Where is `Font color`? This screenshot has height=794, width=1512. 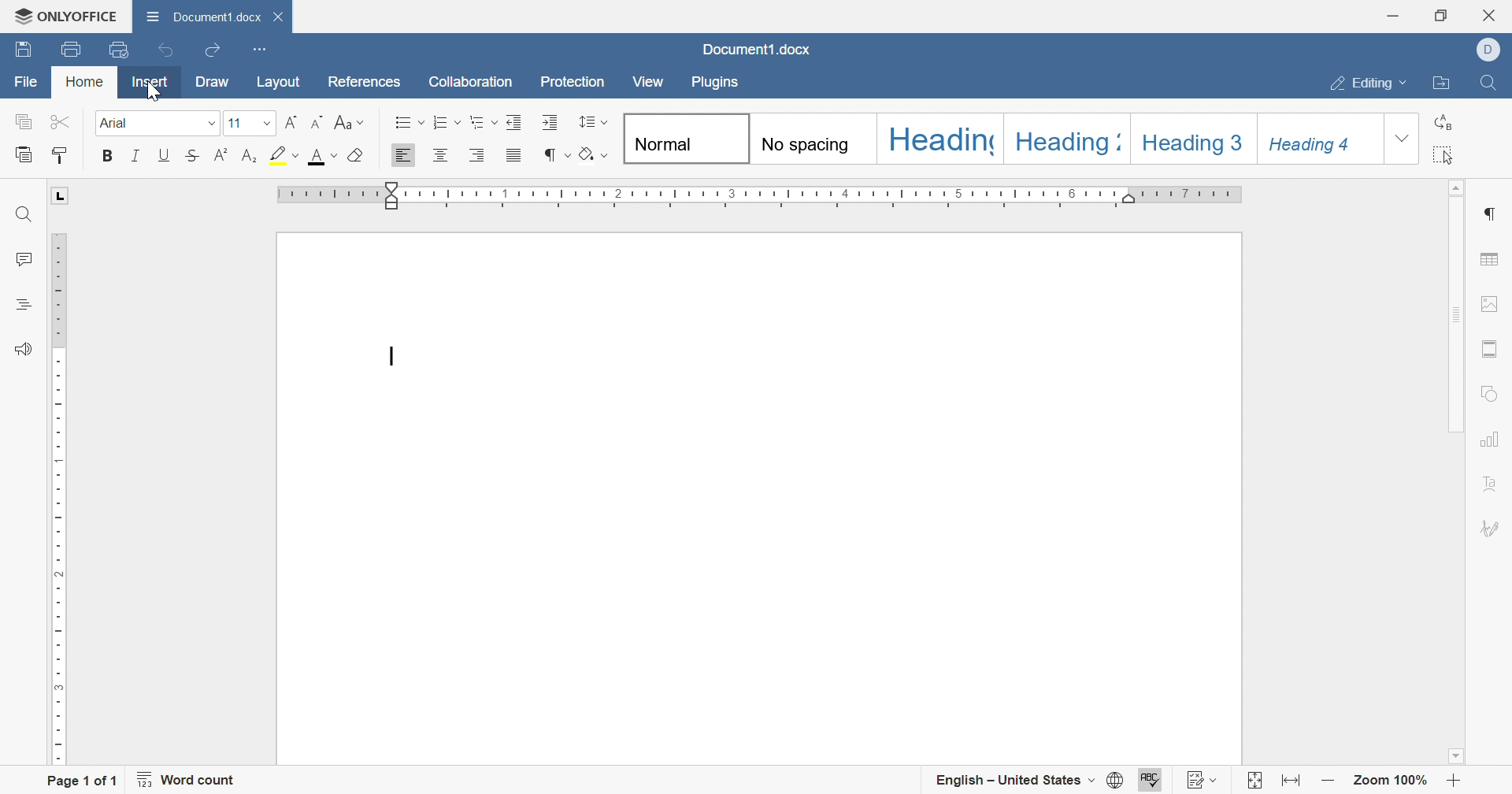
Font color is located at coordinates (323, 157).